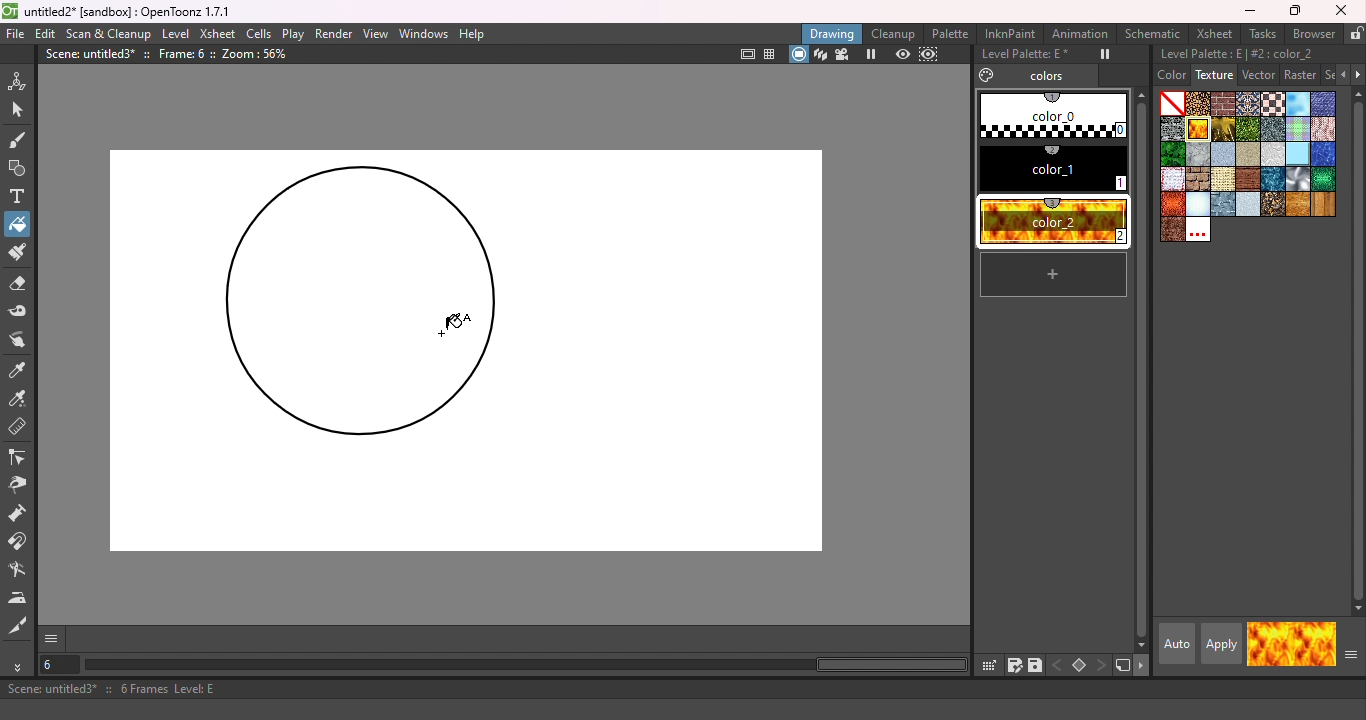 The image size is (1366, 720). Describe the element at coordinates (894, 33) in the screenshot. I see `Cleanup` at that location.